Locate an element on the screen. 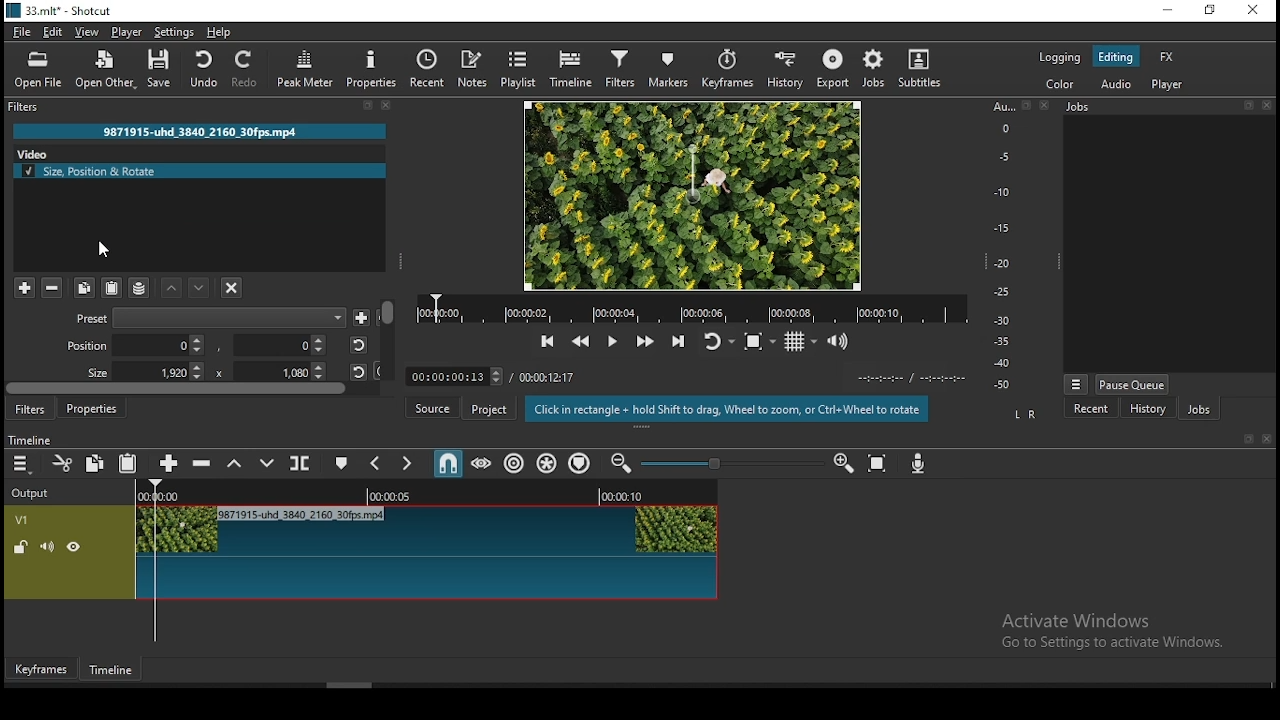  toggle zoom is located at coordinates (758, 342).